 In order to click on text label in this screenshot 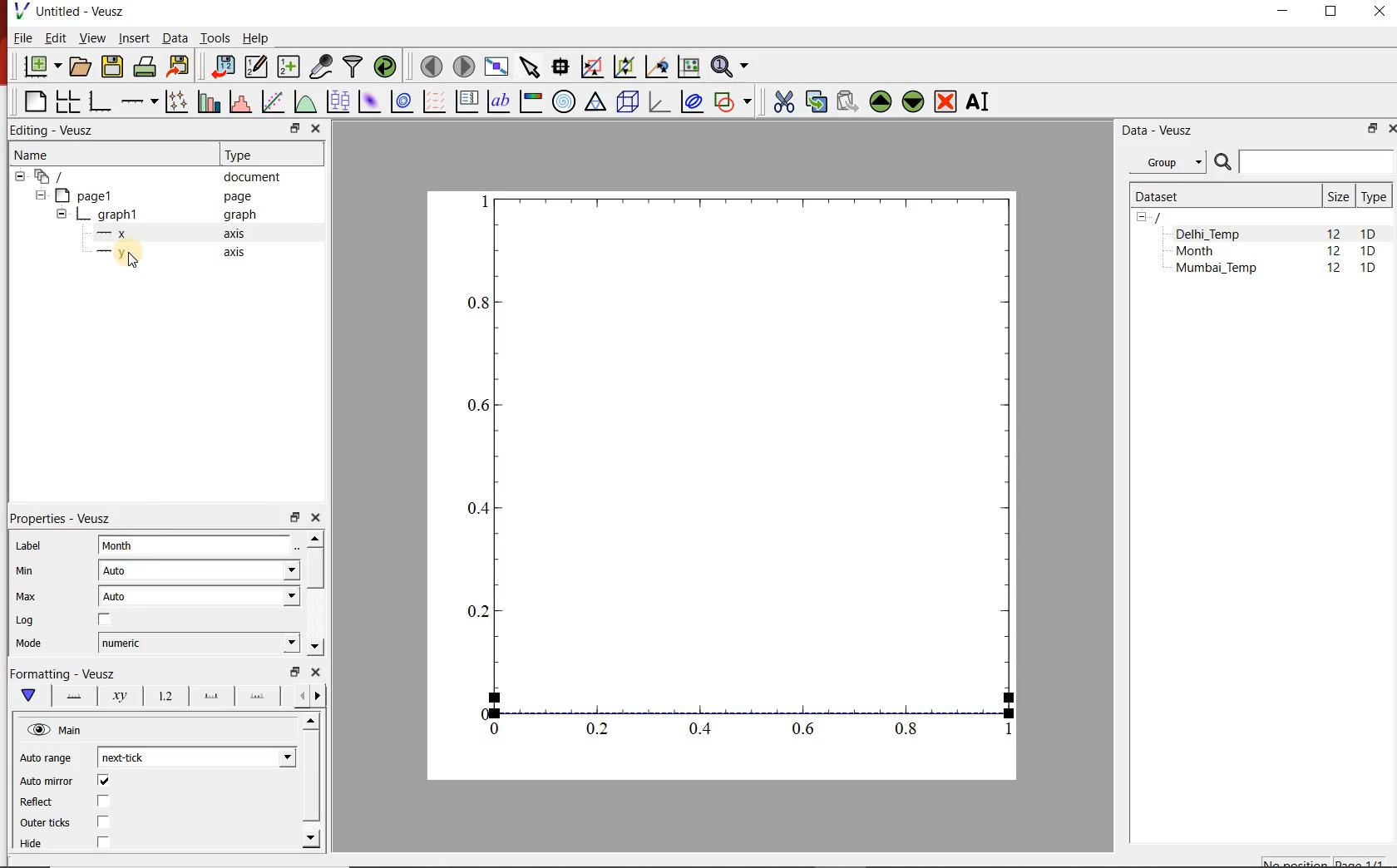, I will do `click(498, 101)`.